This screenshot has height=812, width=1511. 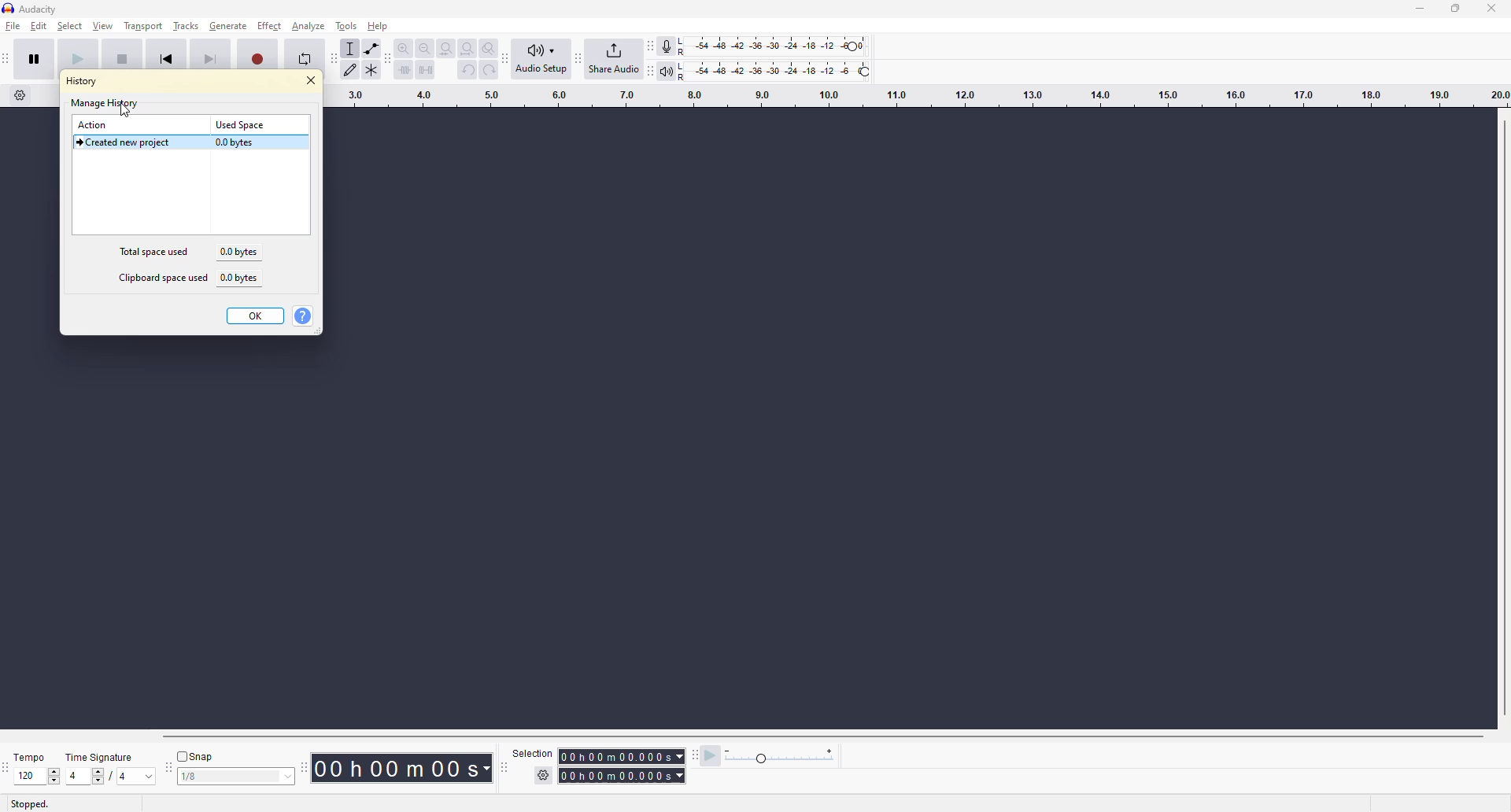 I want to click on select, so click(x=72, y=28).